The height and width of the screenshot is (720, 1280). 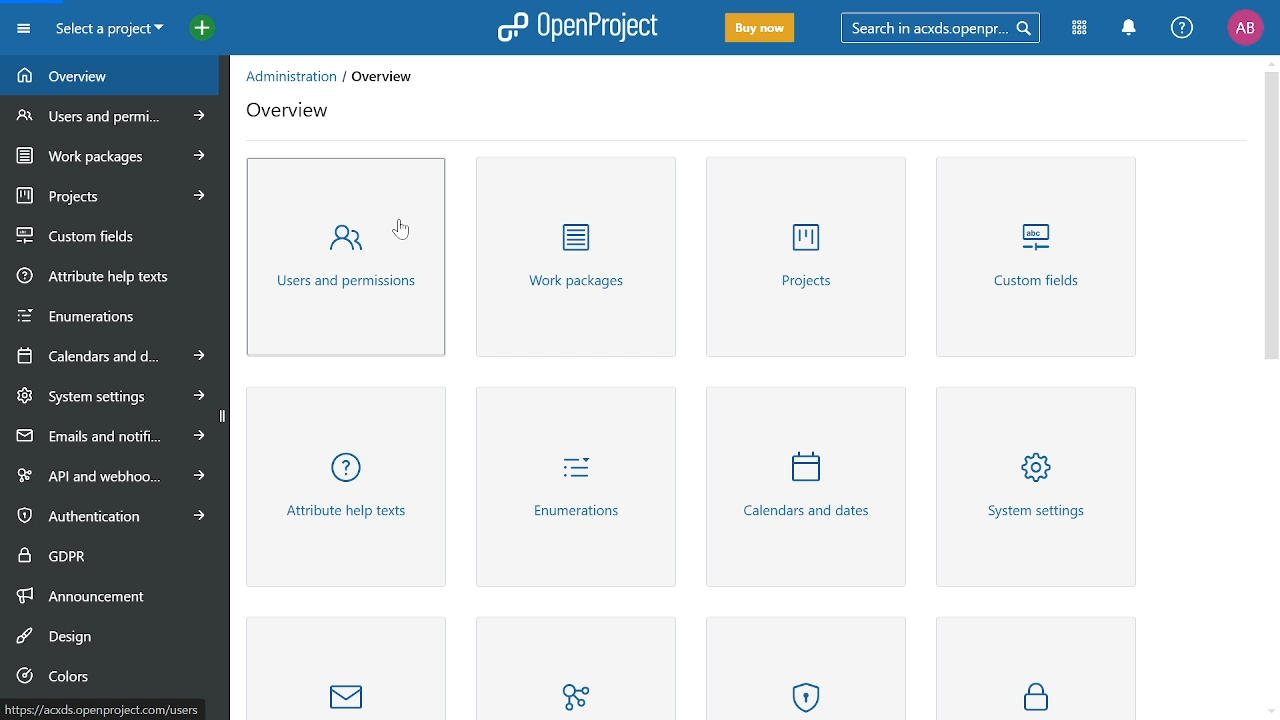 What do you see at coordinates (111, 709) in the screenshot?
I see `path` at bounding box center [111, 709].